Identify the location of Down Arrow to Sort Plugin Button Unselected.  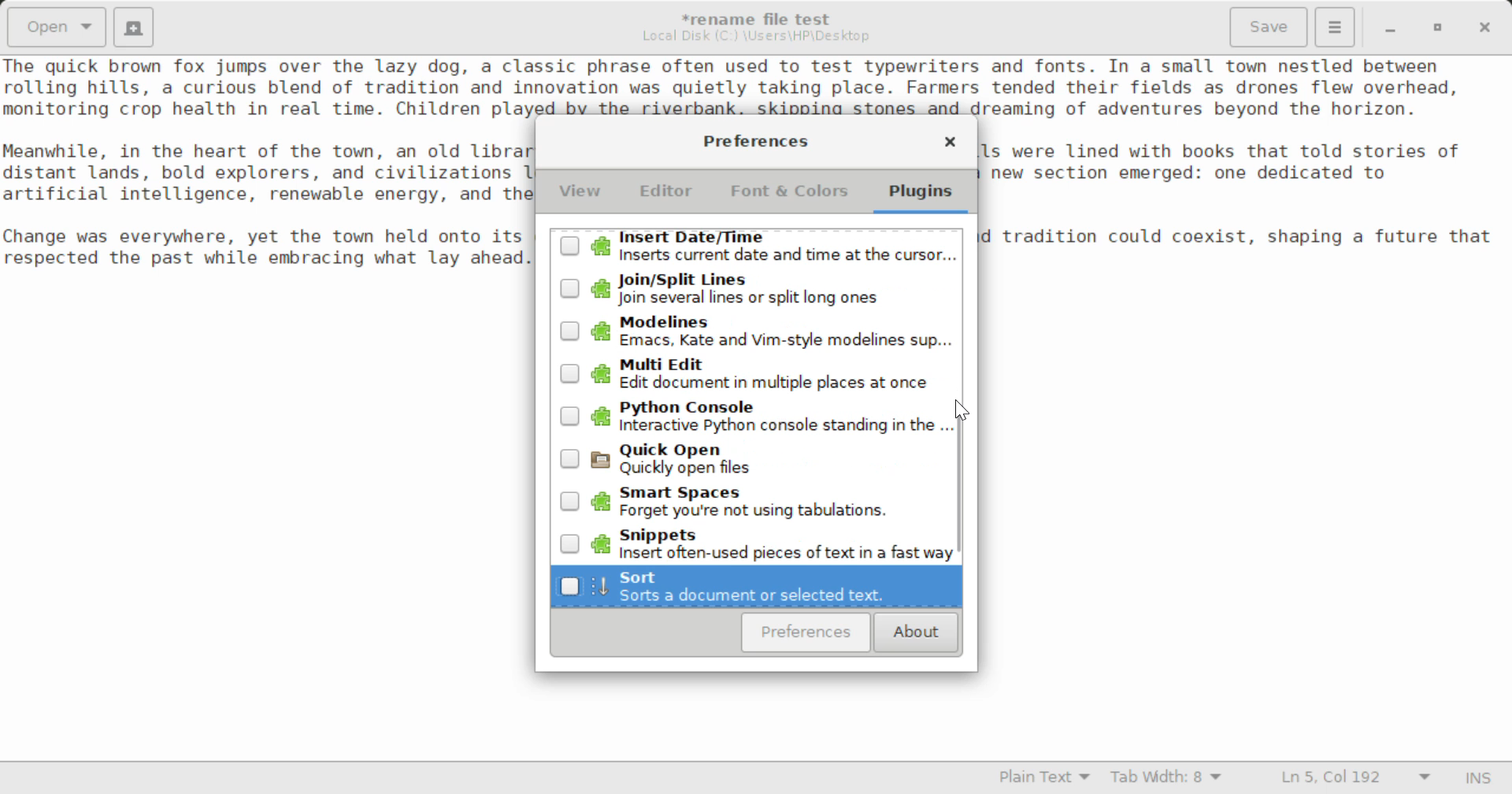
(756, 588).